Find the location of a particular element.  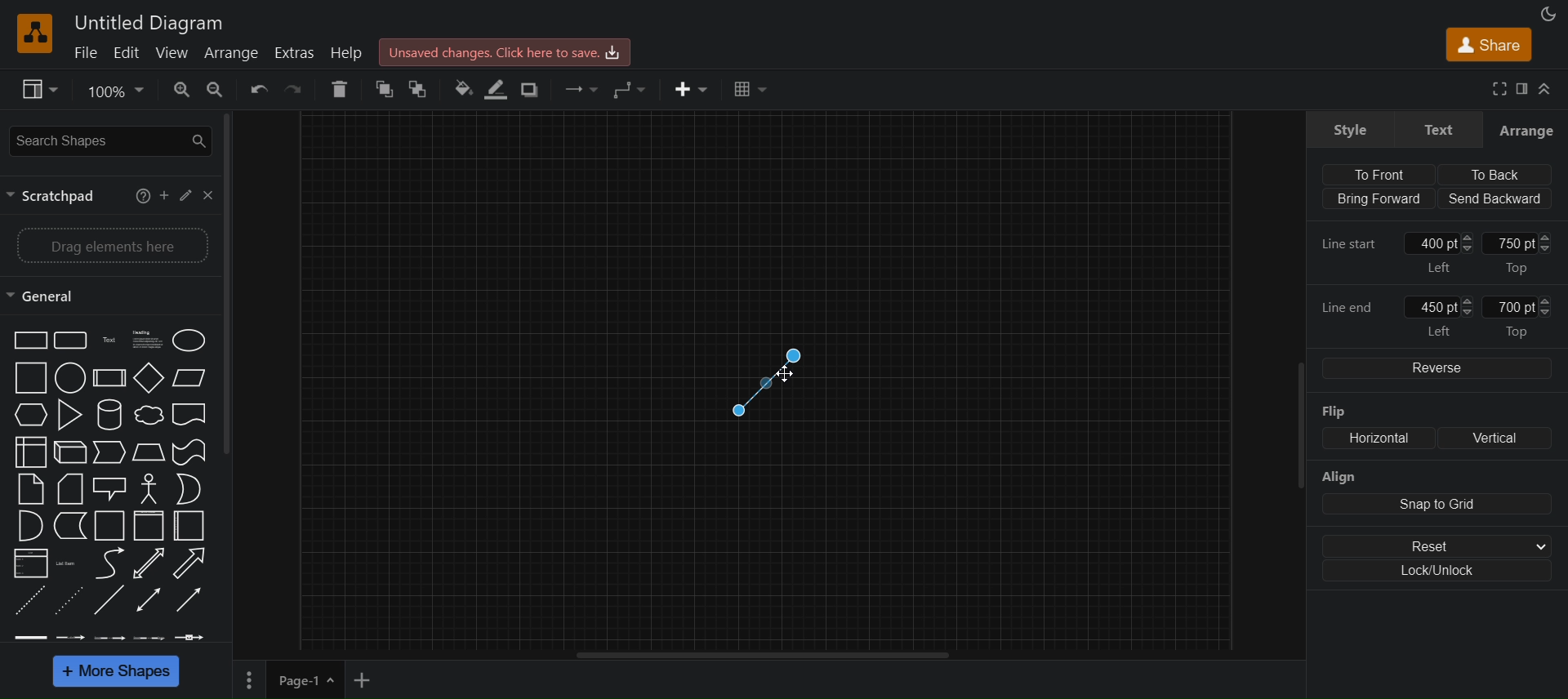

Curved line is located at coordinates (106, 563).